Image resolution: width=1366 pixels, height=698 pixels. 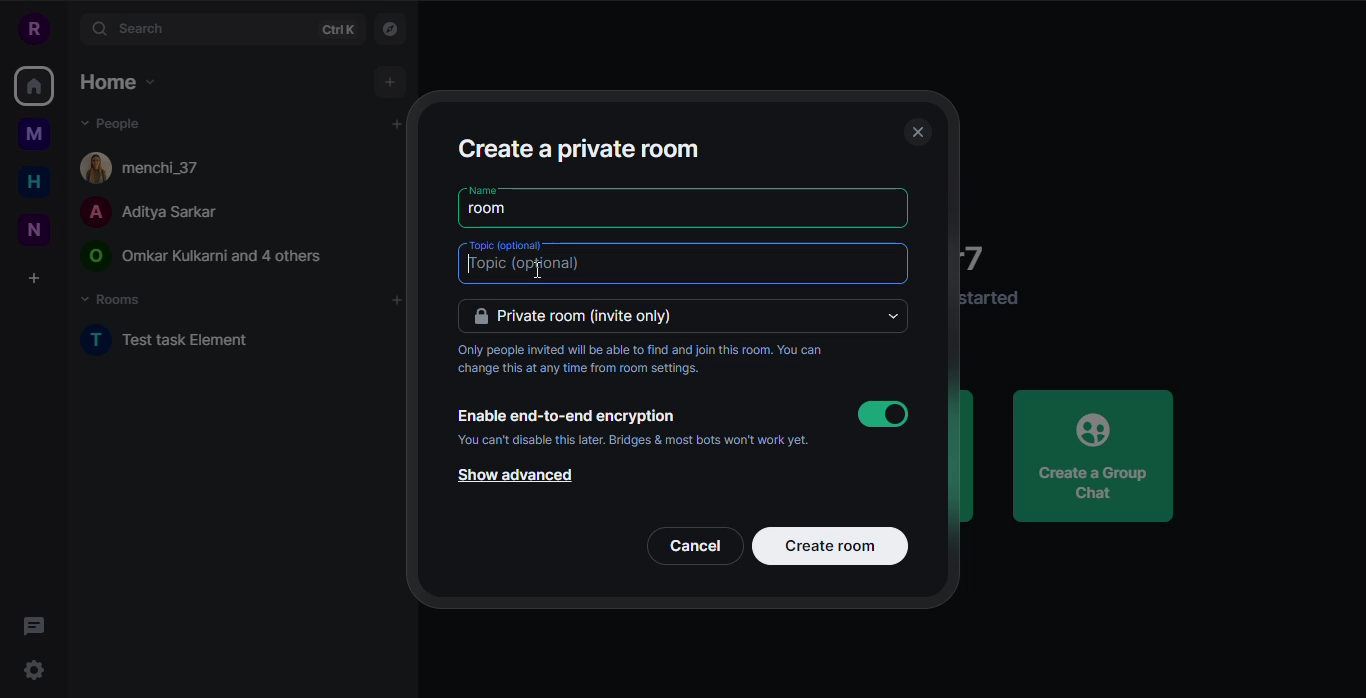 I want to click on drop down, so click(x=896, y=317).